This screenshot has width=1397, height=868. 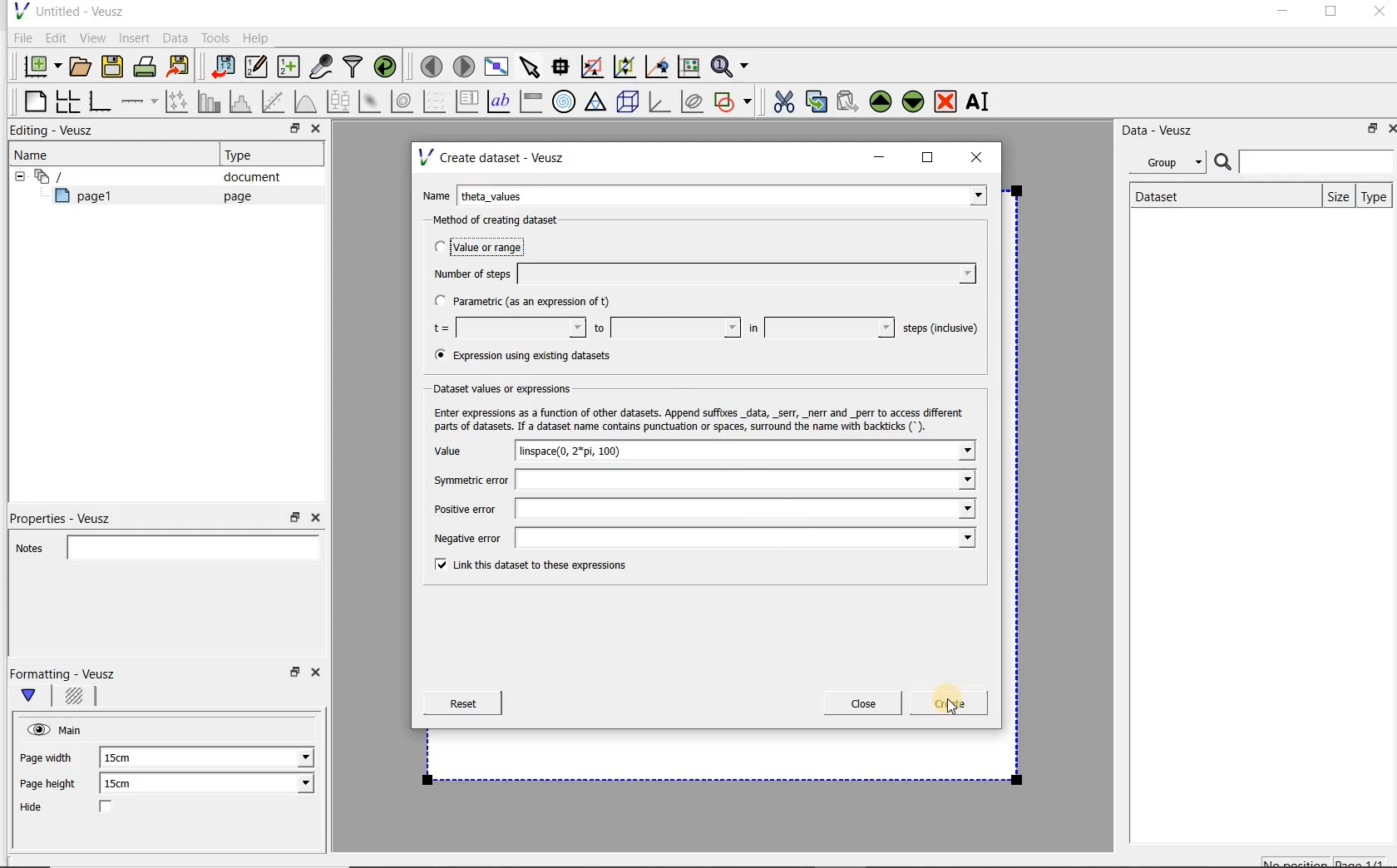 What do you see at coordinates (37, 154) in the screenshot?
I see `Name` at bounding box center [37, 154].